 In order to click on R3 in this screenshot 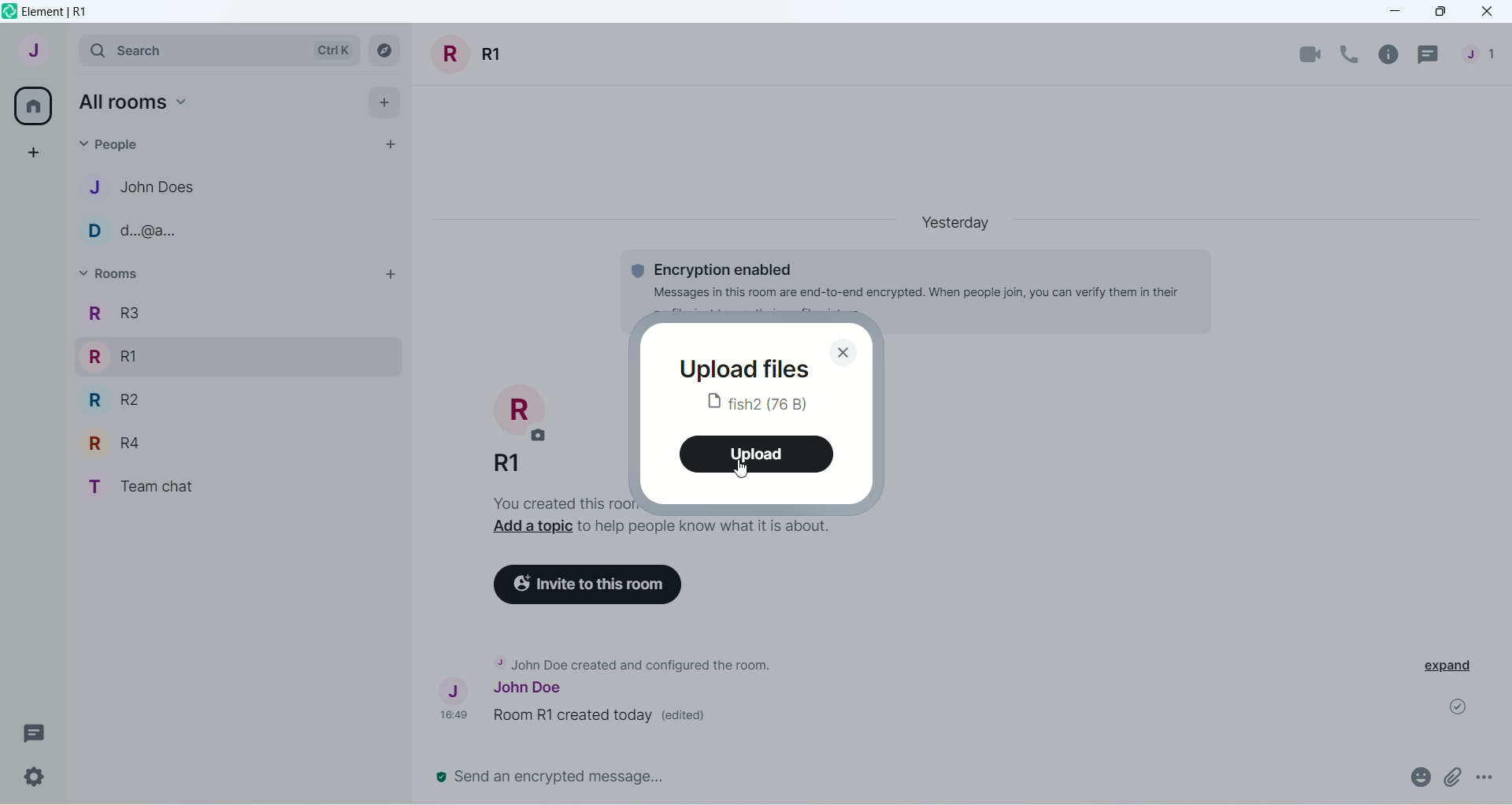, I will do `click(119, 317)`.